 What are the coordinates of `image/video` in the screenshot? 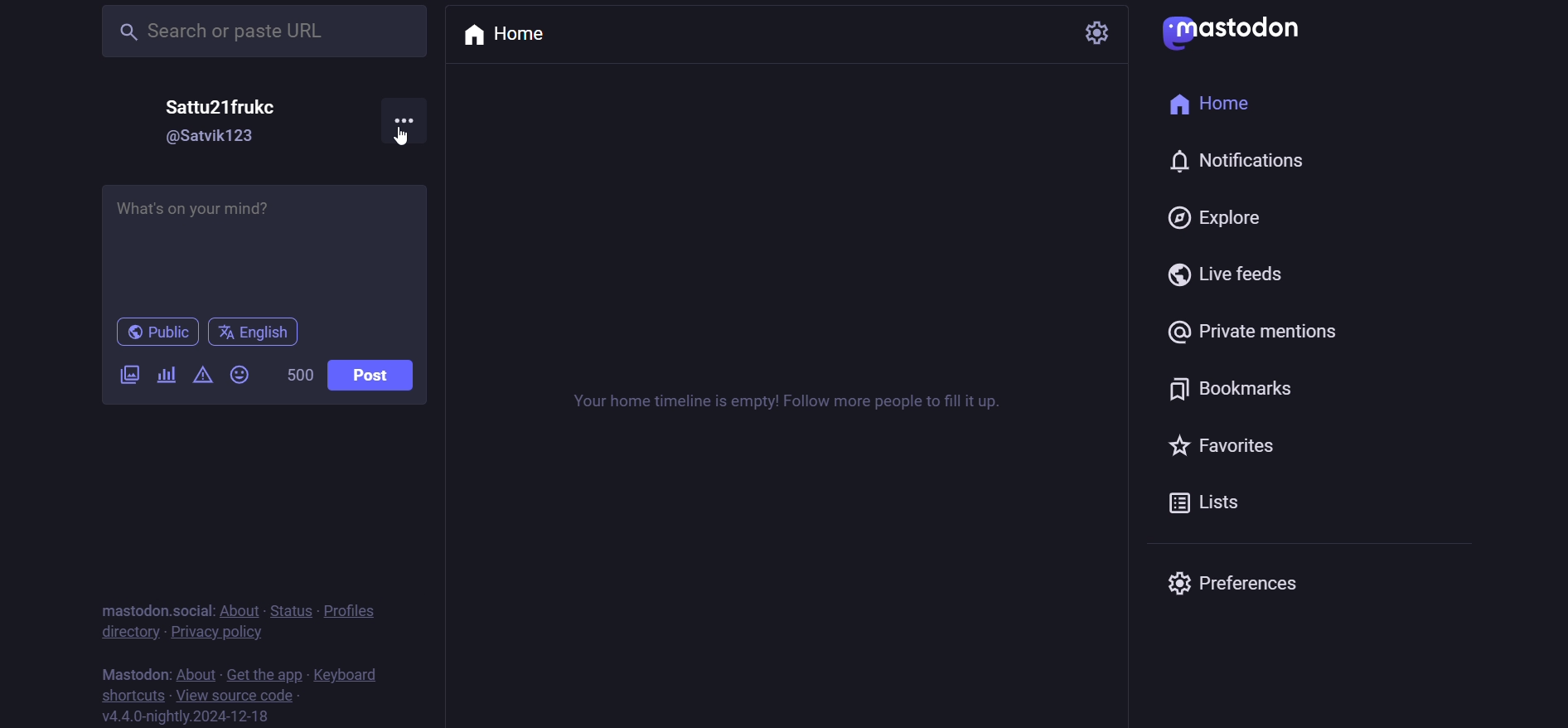 It's located at (126, 375).